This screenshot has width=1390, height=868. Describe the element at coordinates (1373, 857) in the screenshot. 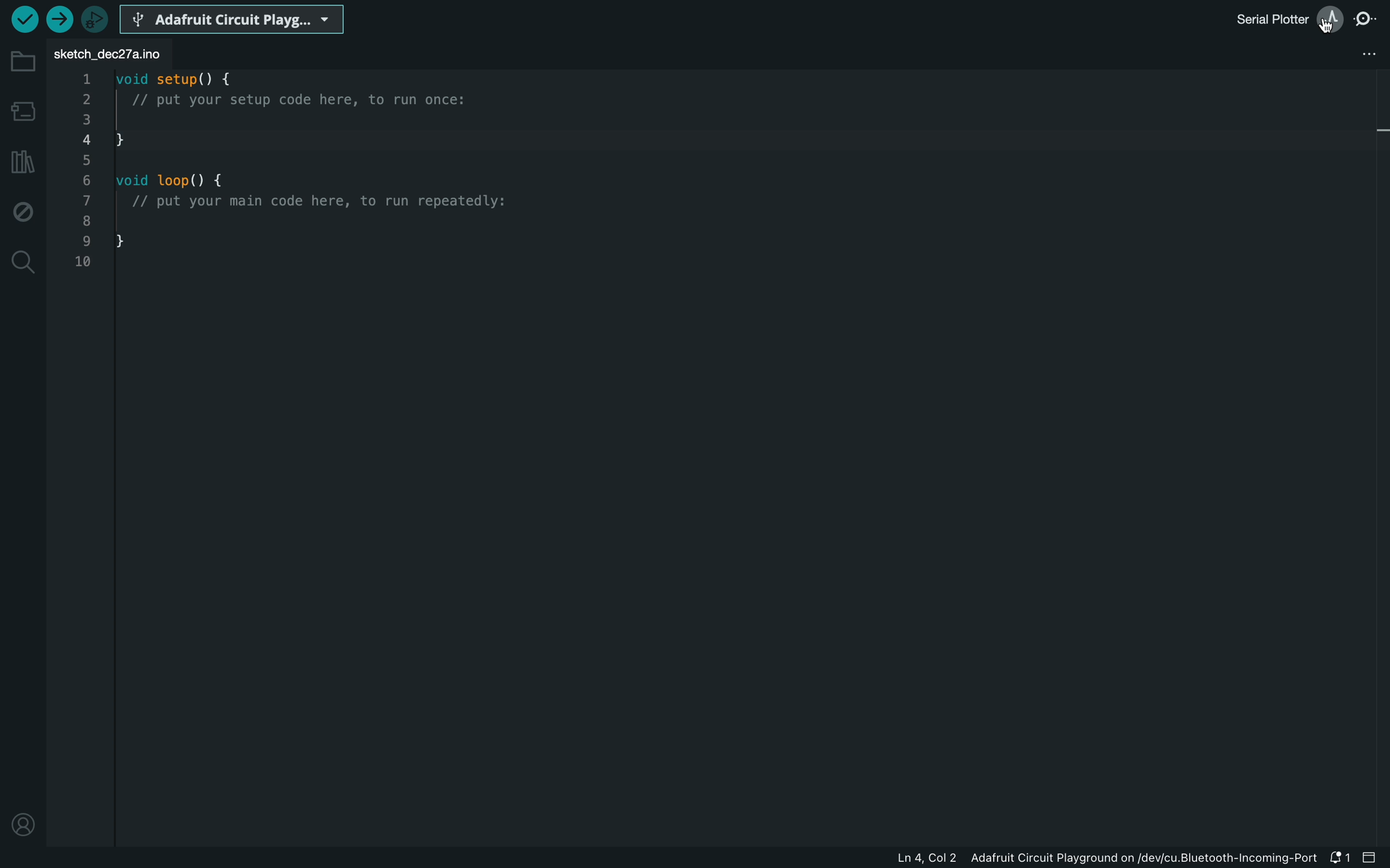

I see `close slide bar` at that location.